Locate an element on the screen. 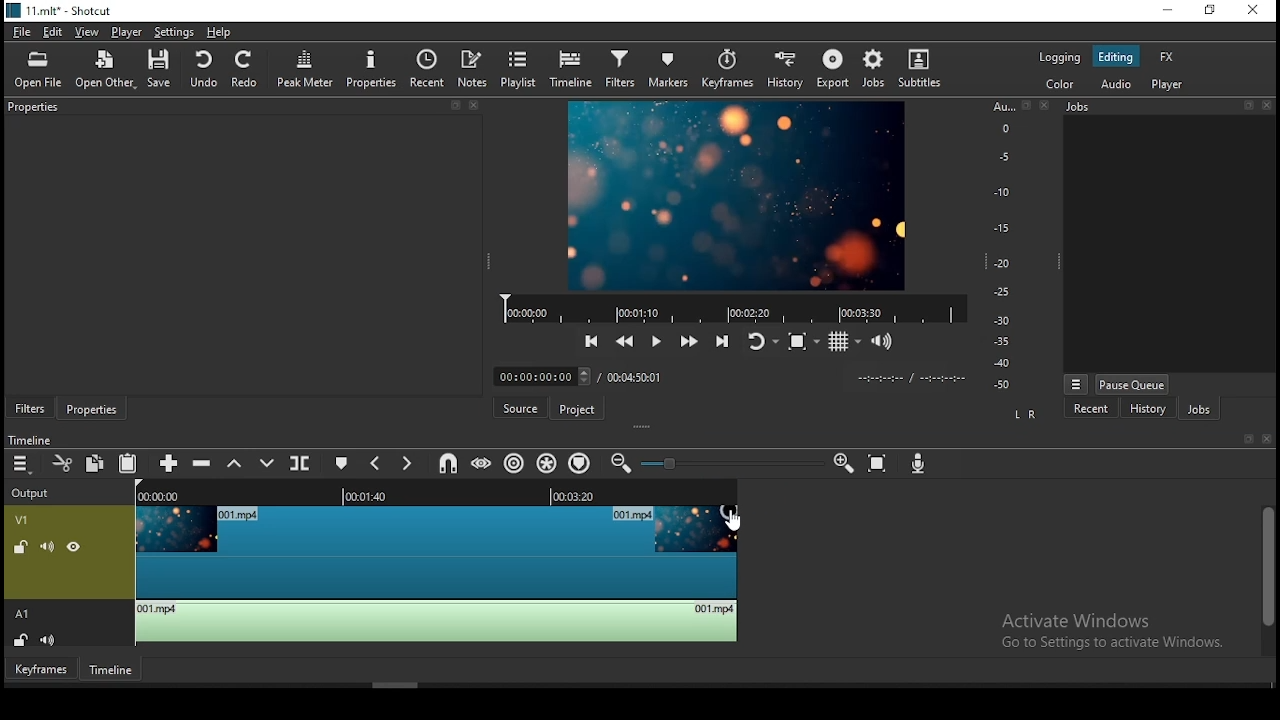 Image resolution: width=1280 pixels, height=720 pixels. markers is located at coordinates (670, 67).